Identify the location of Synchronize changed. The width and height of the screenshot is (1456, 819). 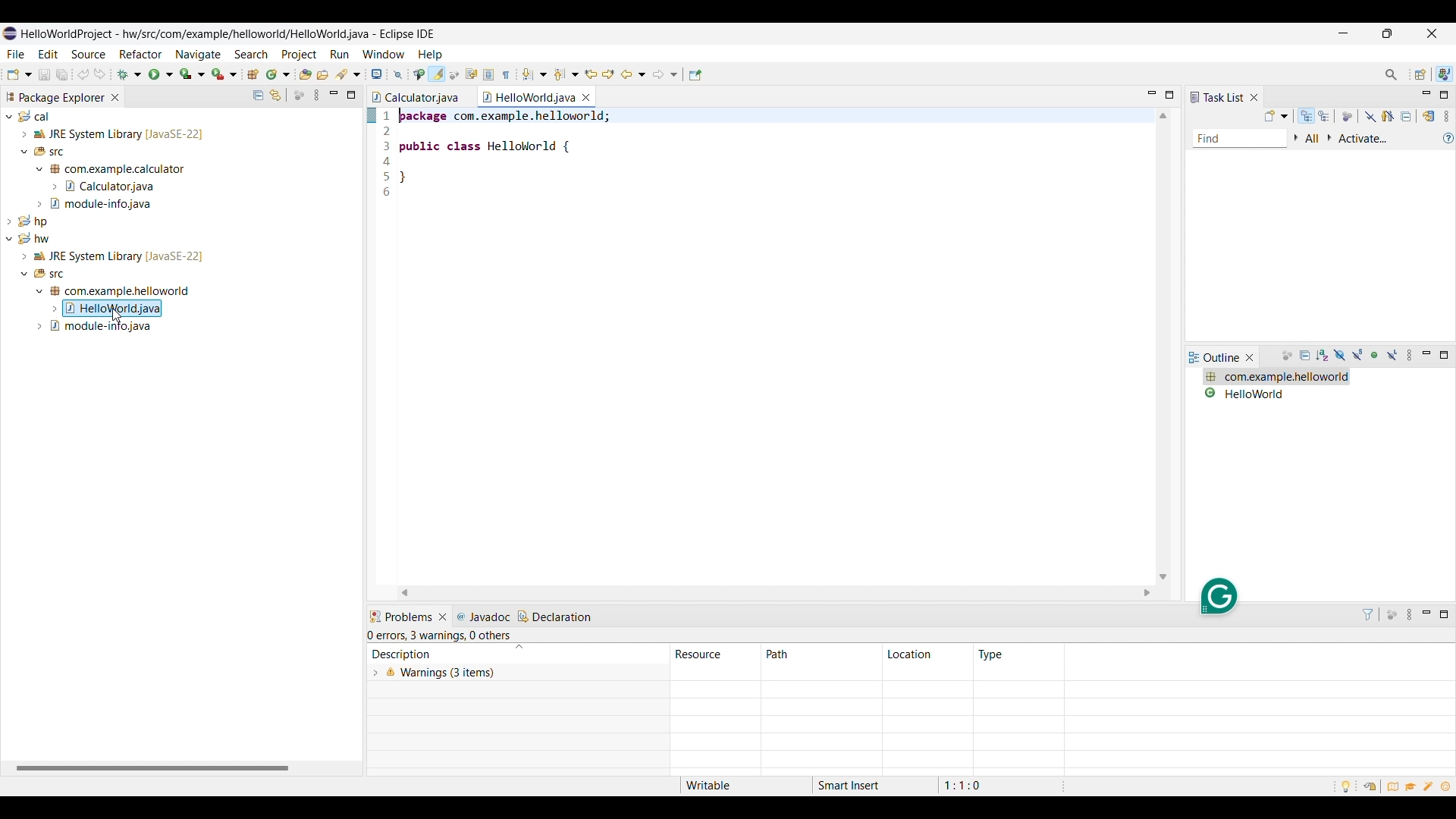
(1430, 116).